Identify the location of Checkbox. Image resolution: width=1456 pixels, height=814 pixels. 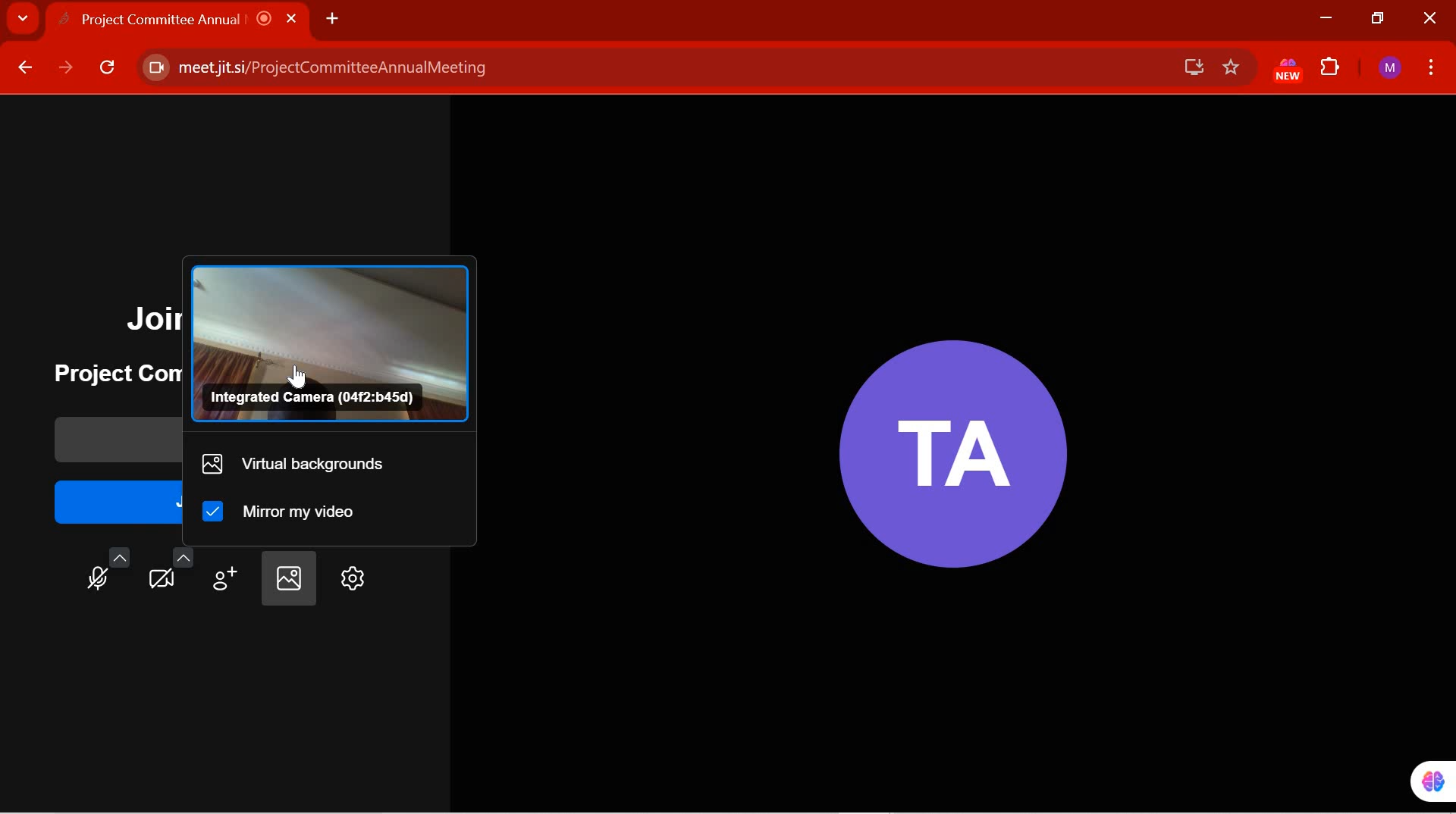
(212, 510).